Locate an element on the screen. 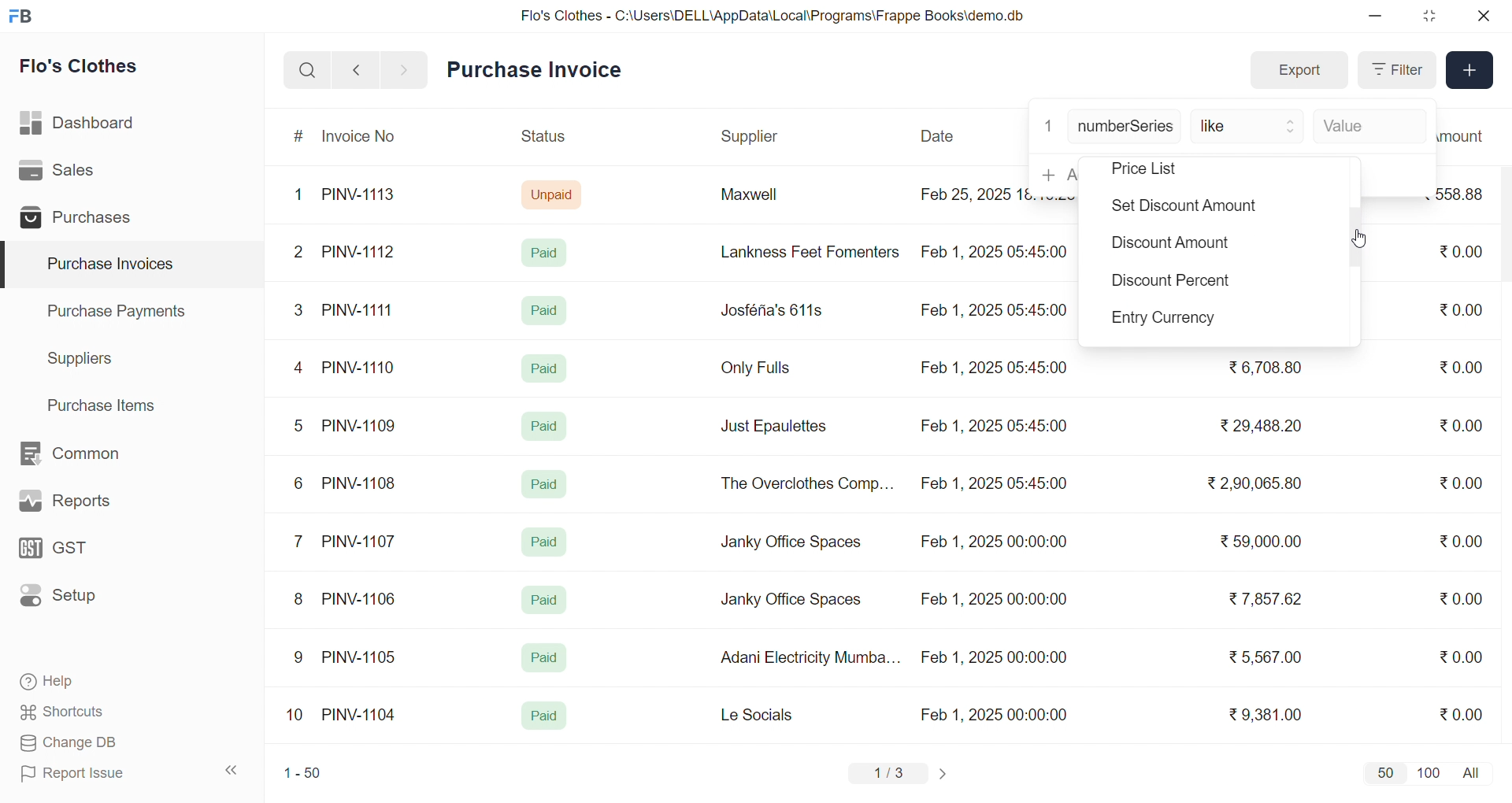 The height and width of the screenshot is (803, 1512). Supplier is located at coordinates (752, 137).